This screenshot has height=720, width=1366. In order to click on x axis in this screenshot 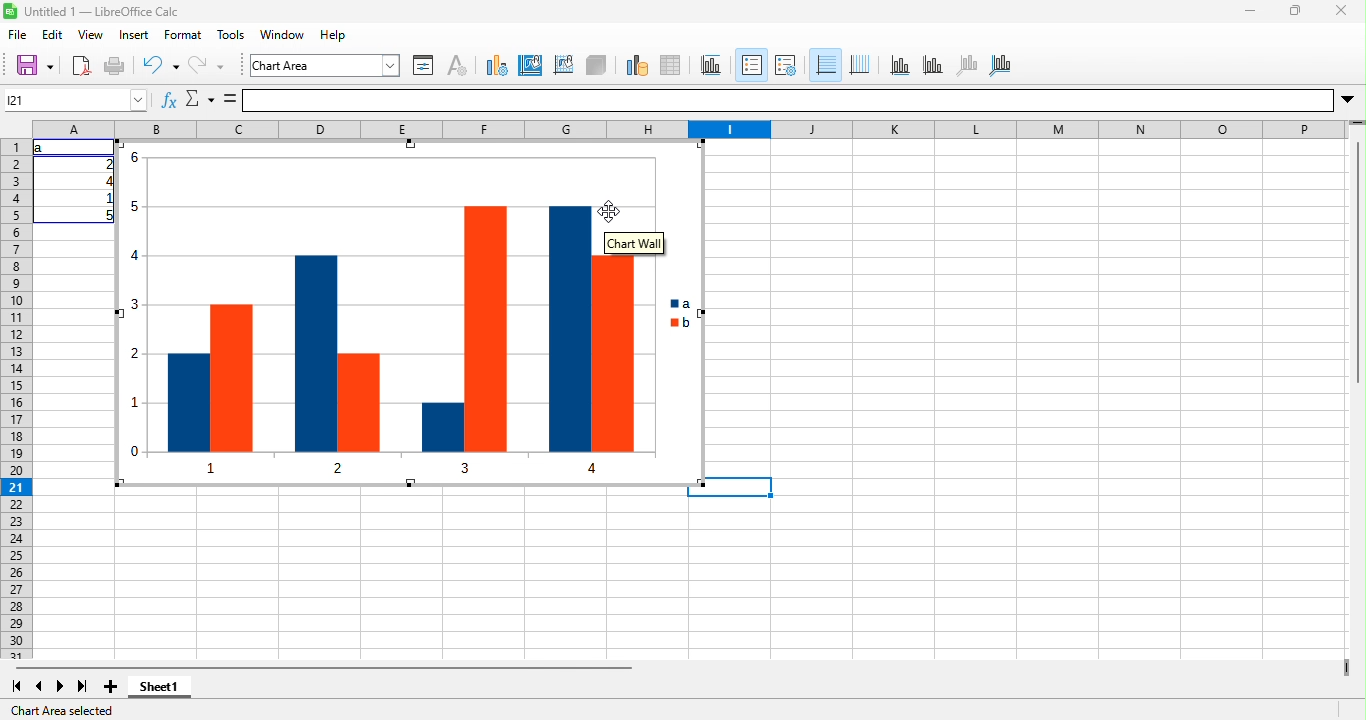, I will do `click(901, 66)`.